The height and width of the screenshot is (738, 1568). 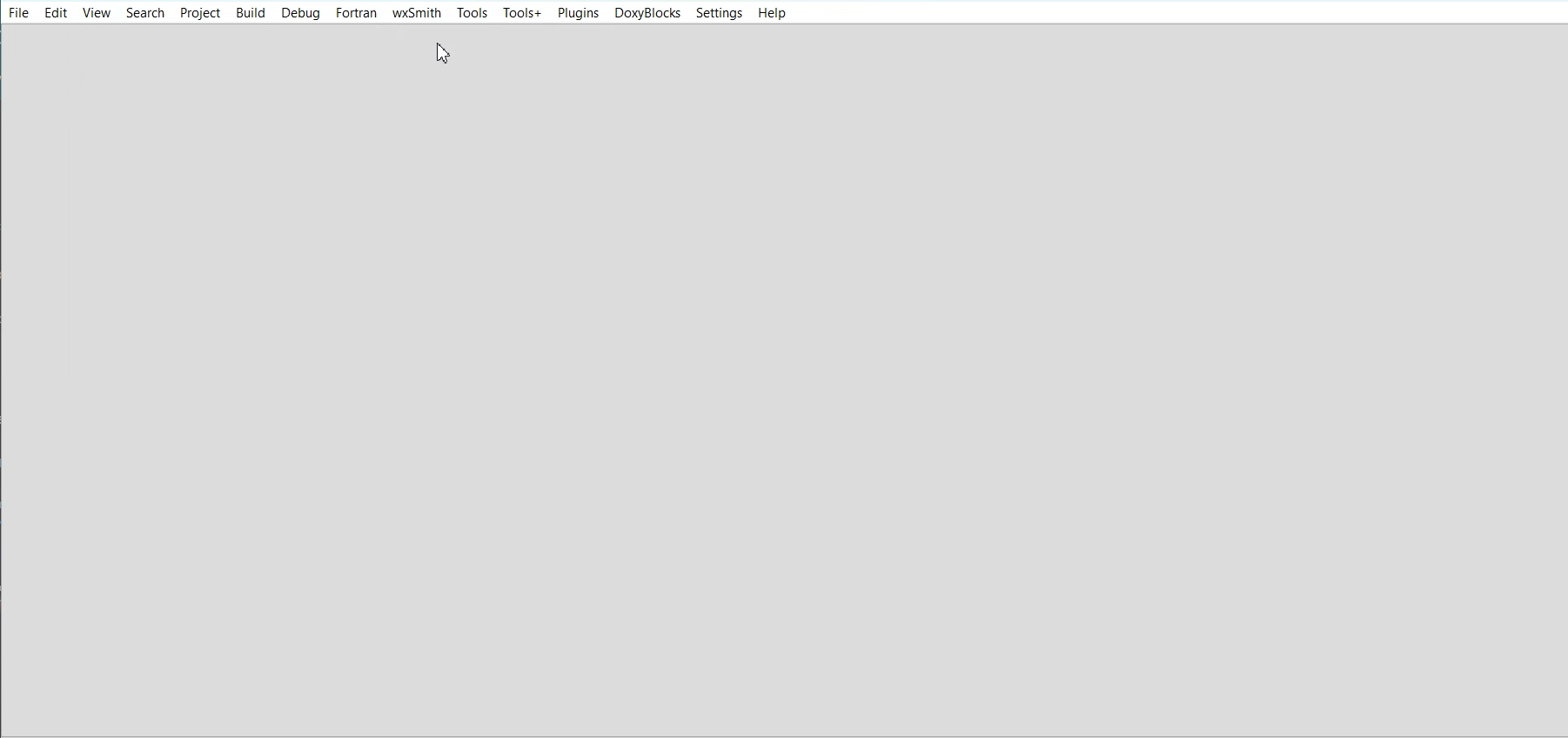 I want to click on Project, so click(x=199, y=12).